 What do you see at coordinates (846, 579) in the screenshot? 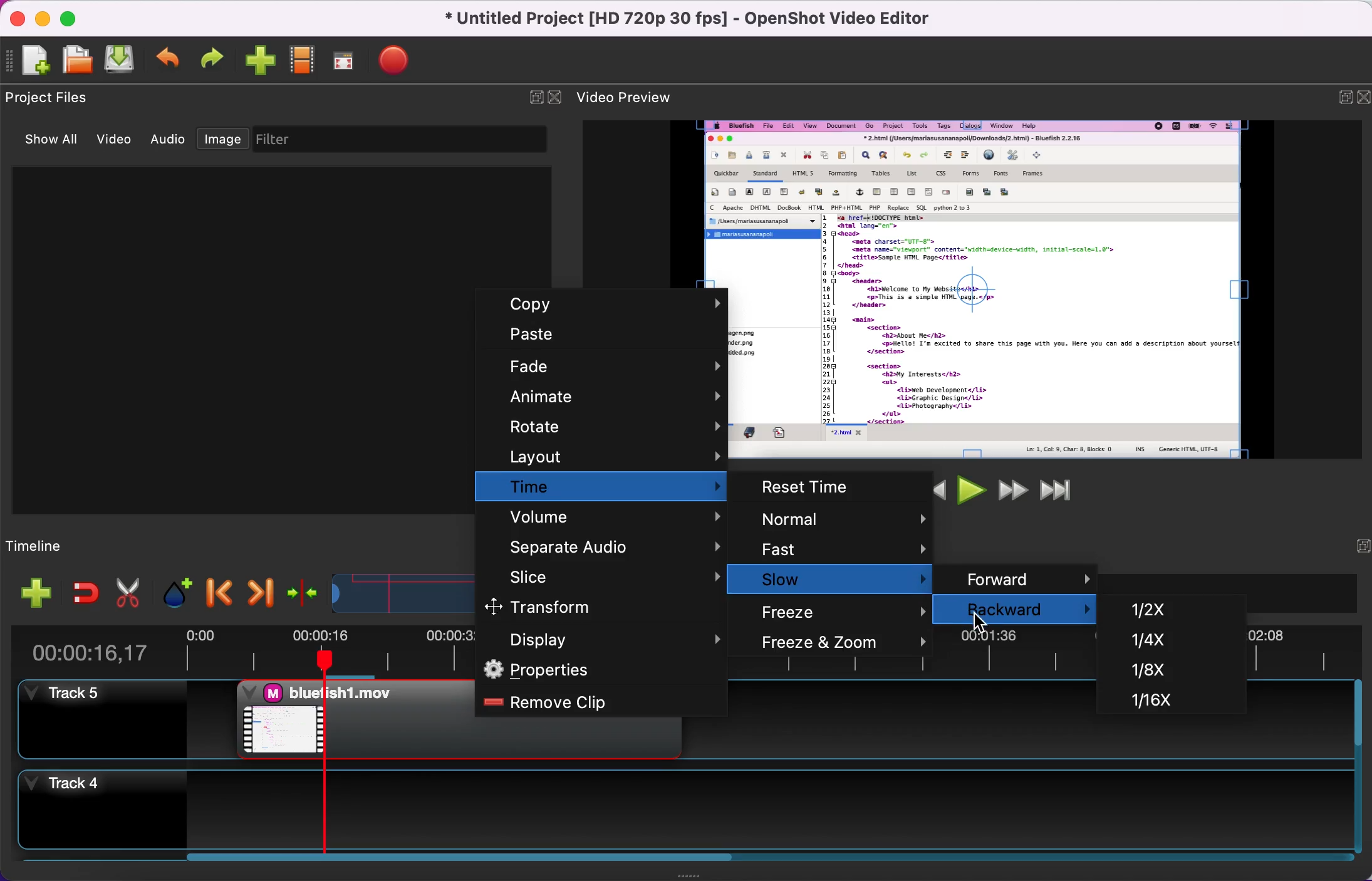
I see `slow` at bounding box center [846, 579].